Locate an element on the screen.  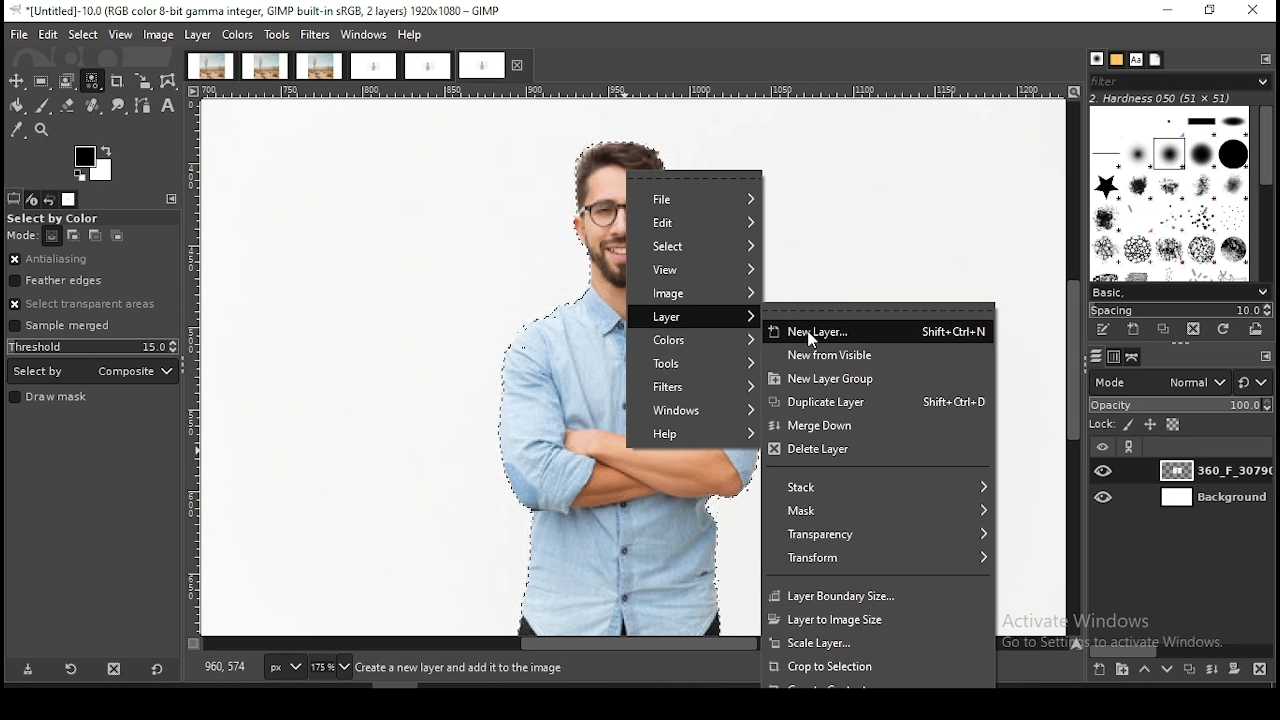
colors is located at coordinates (95, 164).